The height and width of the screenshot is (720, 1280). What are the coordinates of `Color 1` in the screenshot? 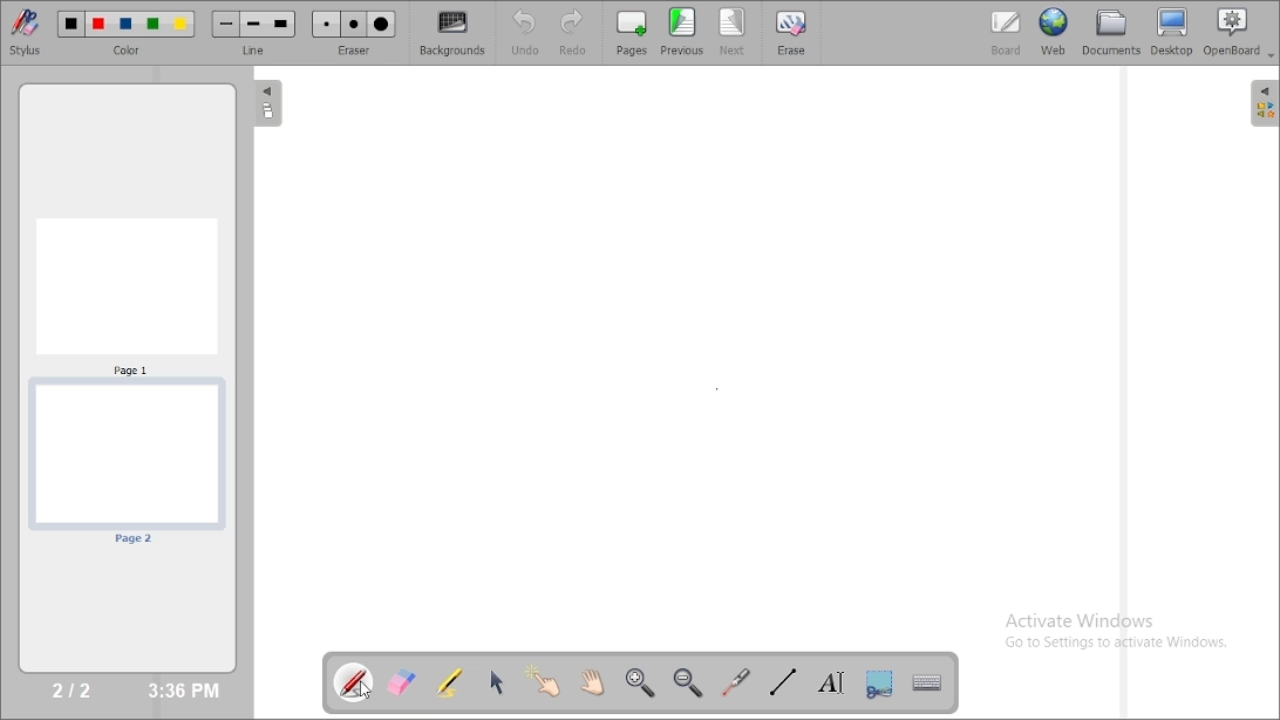 It's located at (72, 25).